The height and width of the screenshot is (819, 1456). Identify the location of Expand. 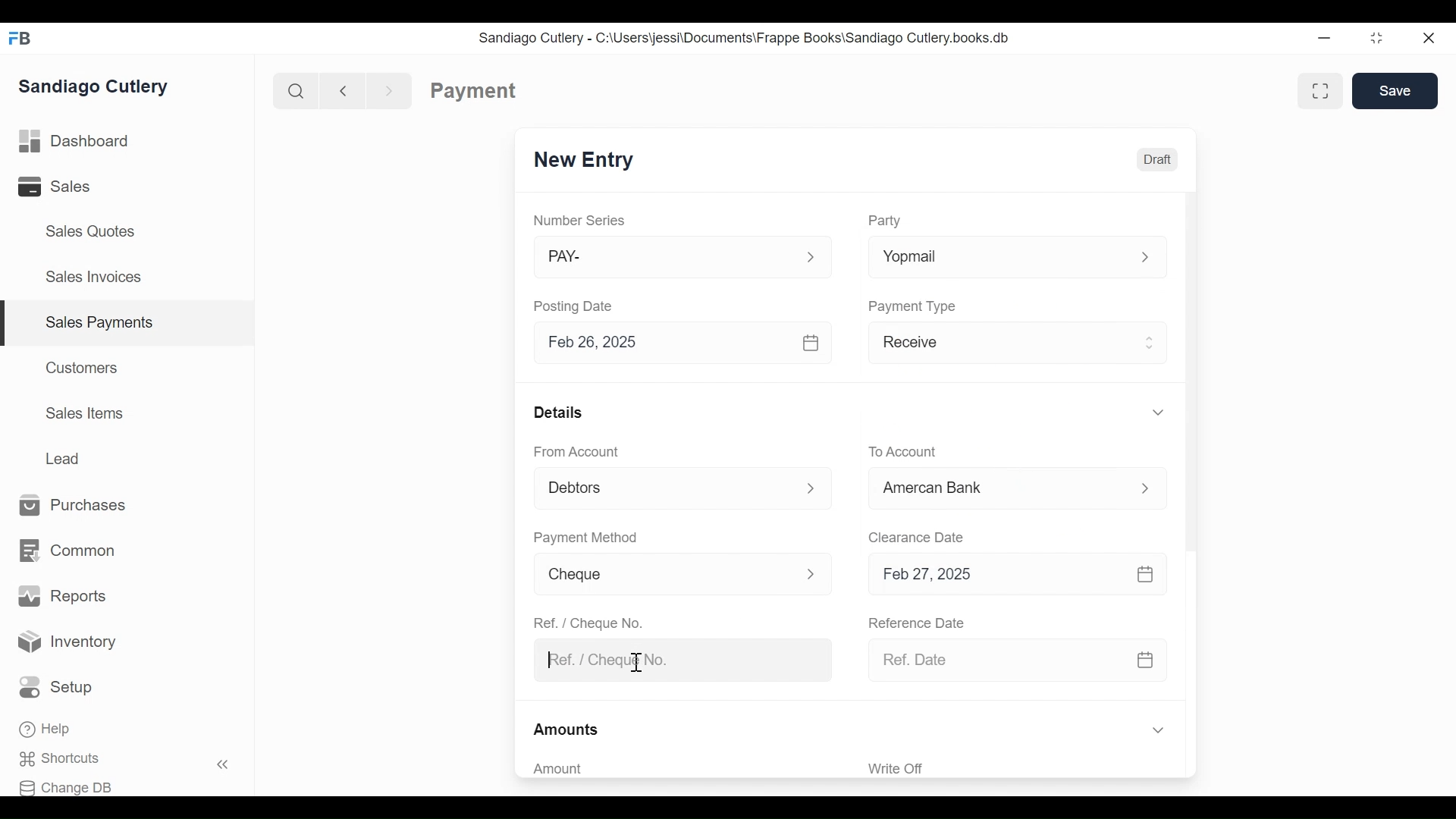
(1145, 259).